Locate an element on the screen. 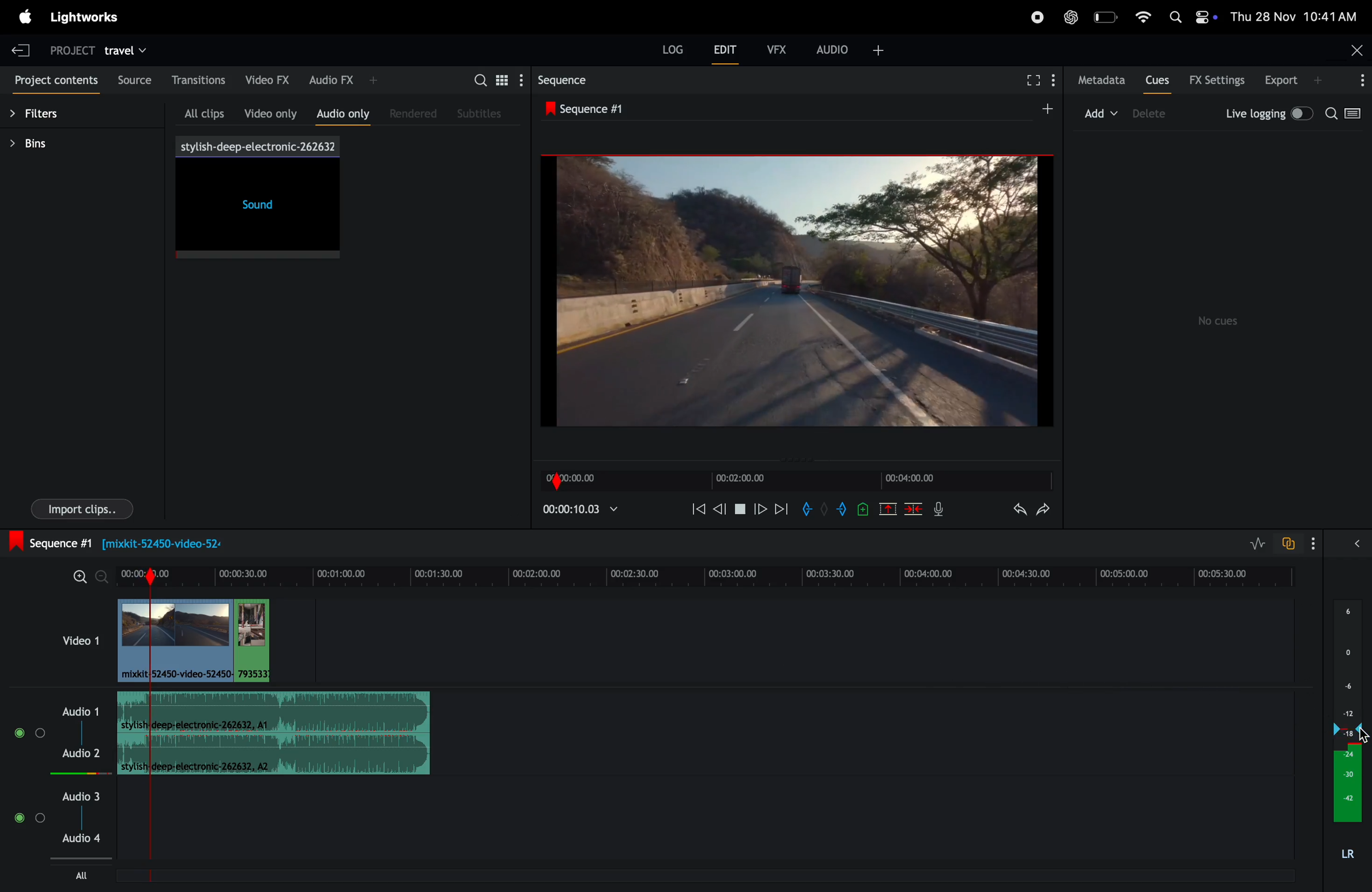 The width and height of the screenshot is (1372, 892). Audio level is located at coordinates (71, 772).